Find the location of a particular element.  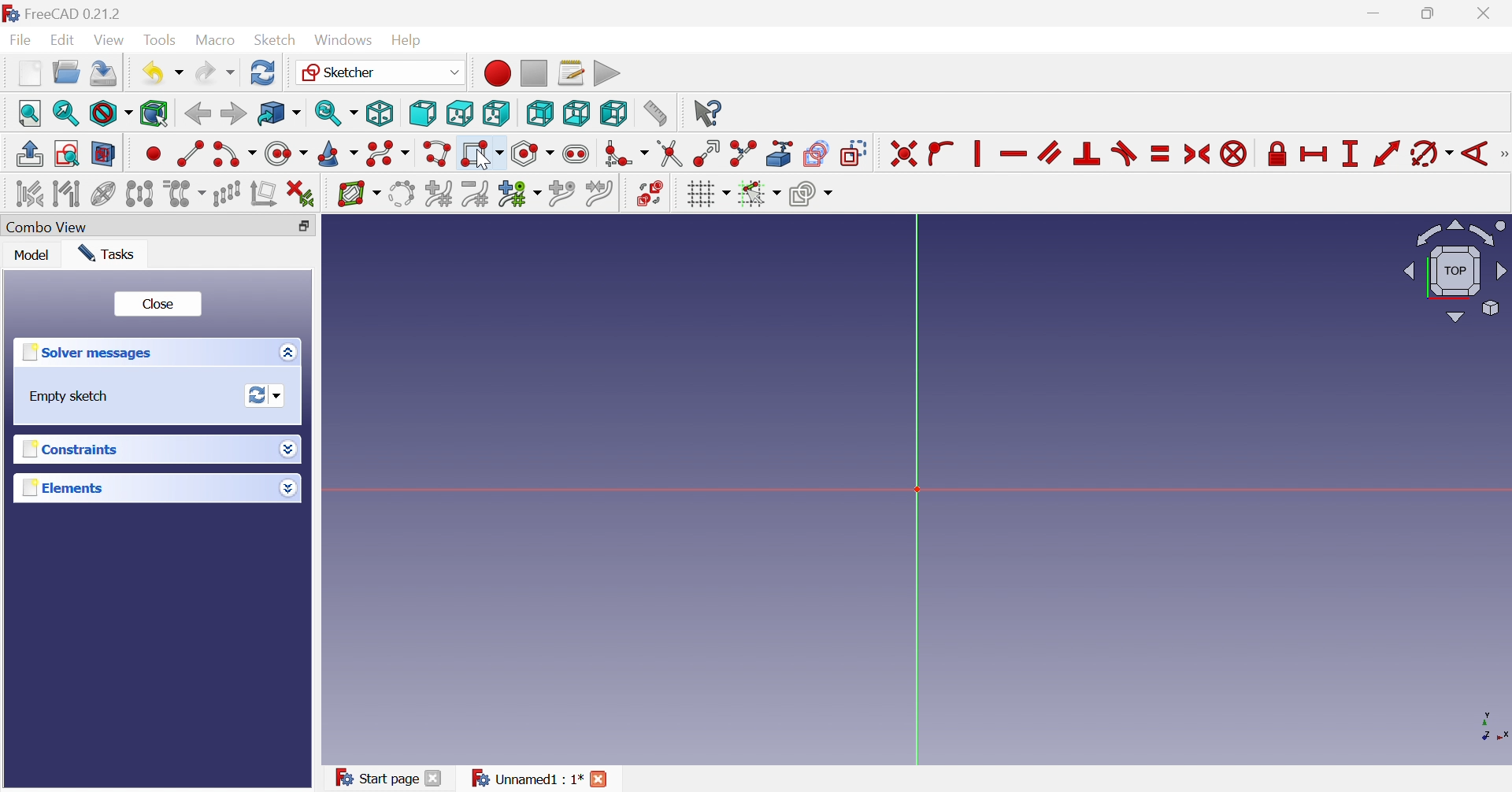

Close is located at coordinates (600, 779).